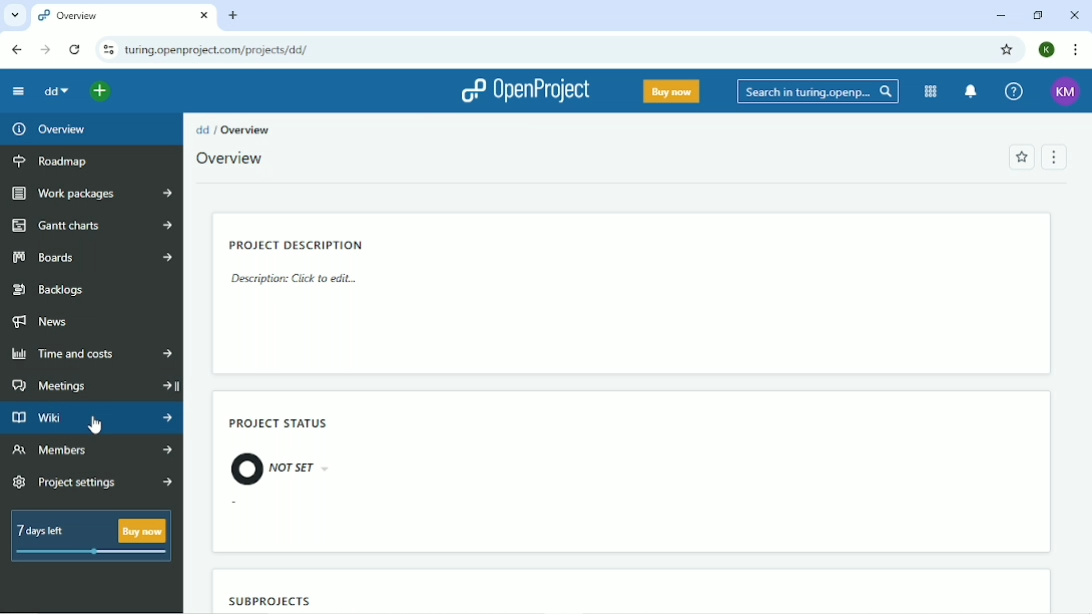 The width and height of the screenshot is (1092, 614). Describe the element at coordinates (673, 92) in the screenshot. I see `Buy now` at that location.